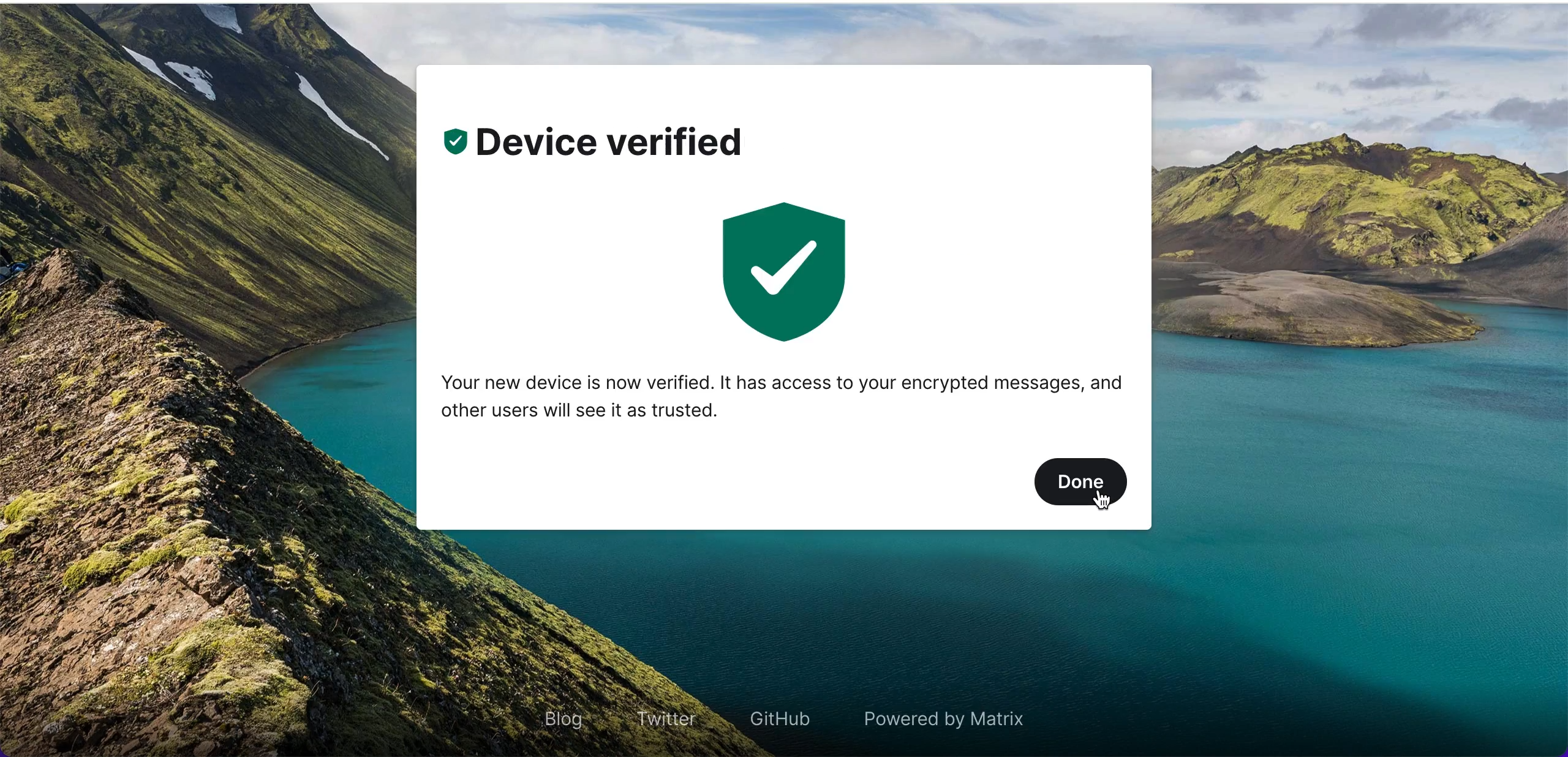 The width and height of the screenshot is (1568, 757). I want to click on verified logo, so click(768, 273).